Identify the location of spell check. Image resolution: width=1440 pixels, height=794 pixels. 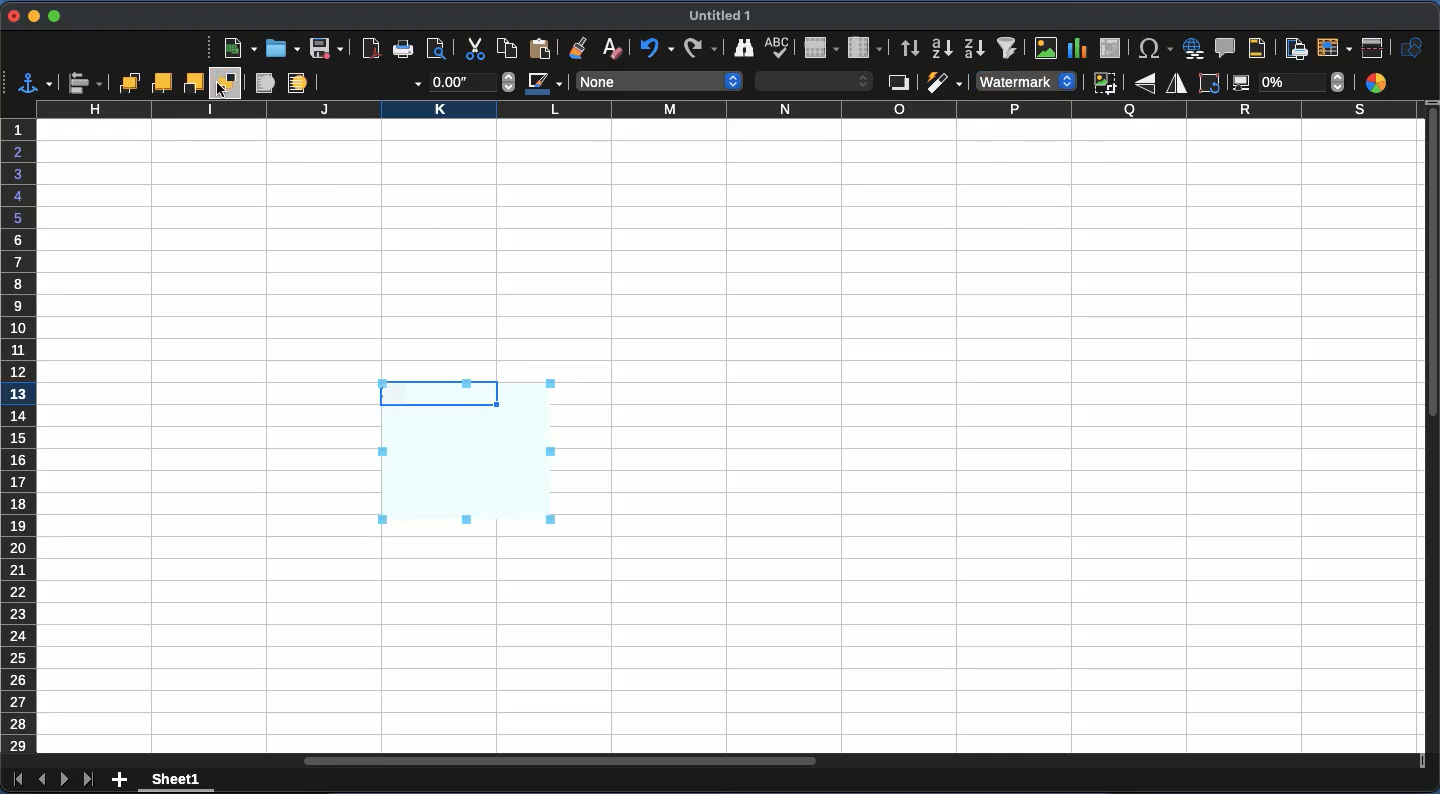
(780, 48).